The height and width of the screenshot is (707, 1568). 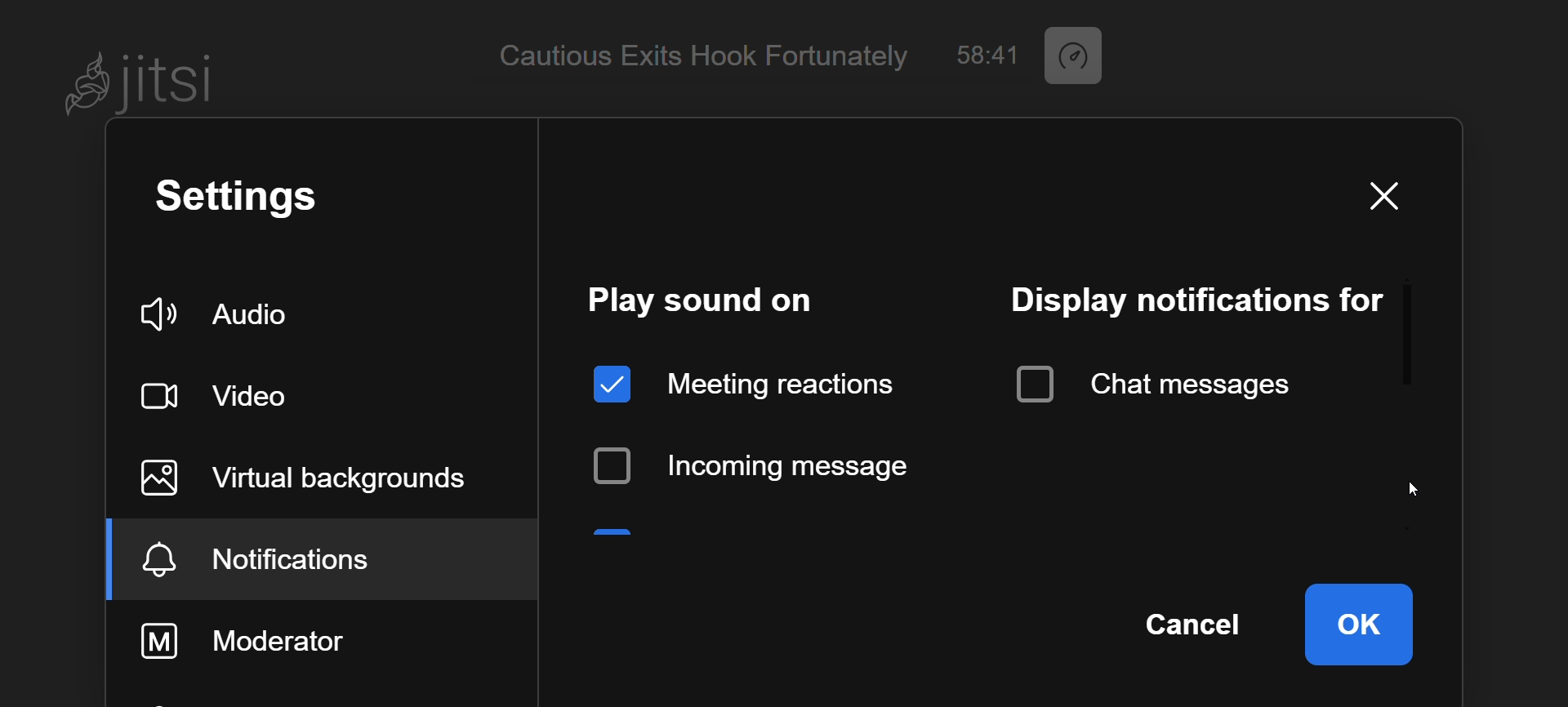 I want to click on meeting reaction, so click(x=741, y=382).